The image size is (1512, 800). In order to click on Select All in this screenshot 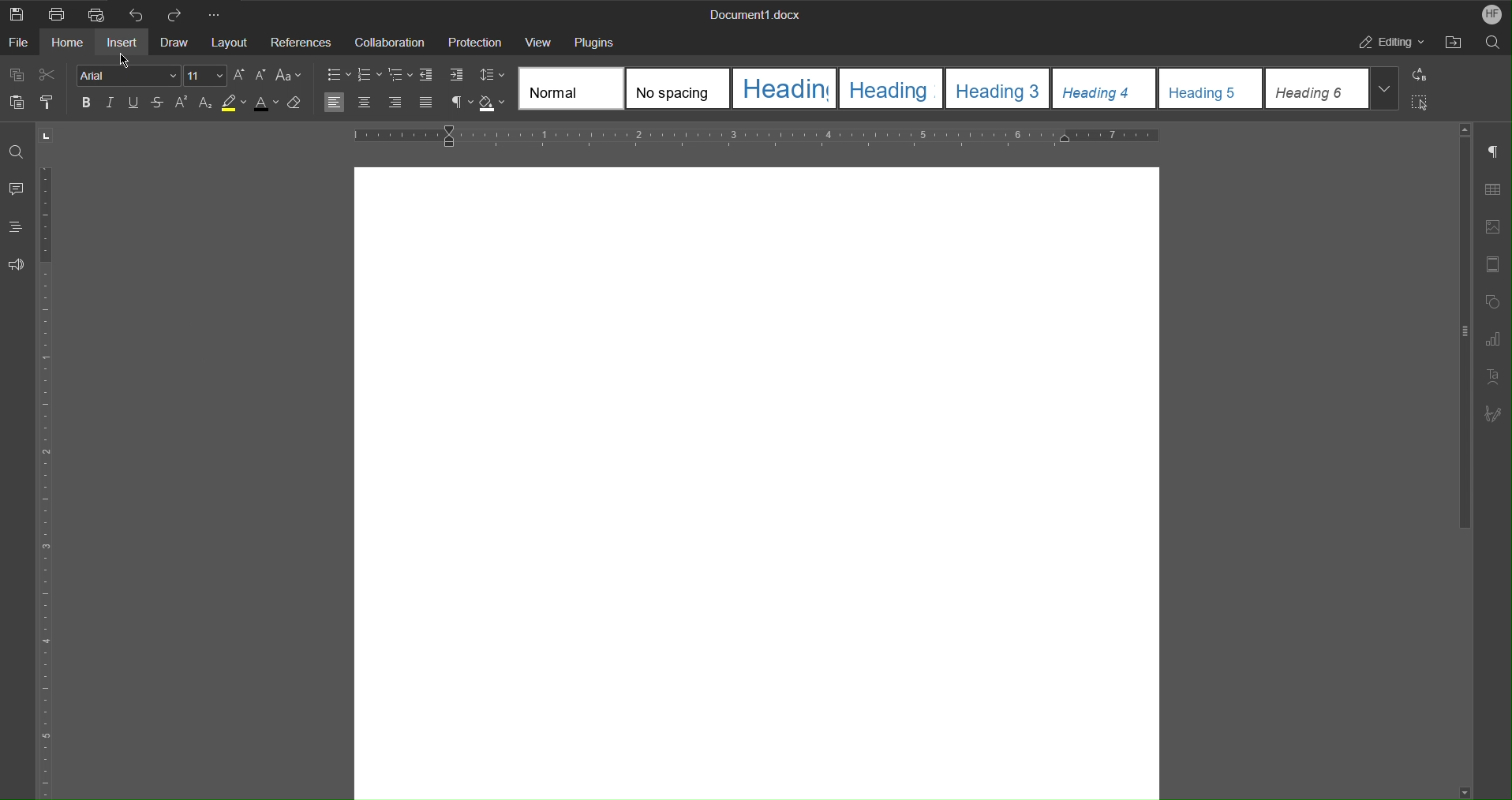, I will do `click(1421, 103)`.